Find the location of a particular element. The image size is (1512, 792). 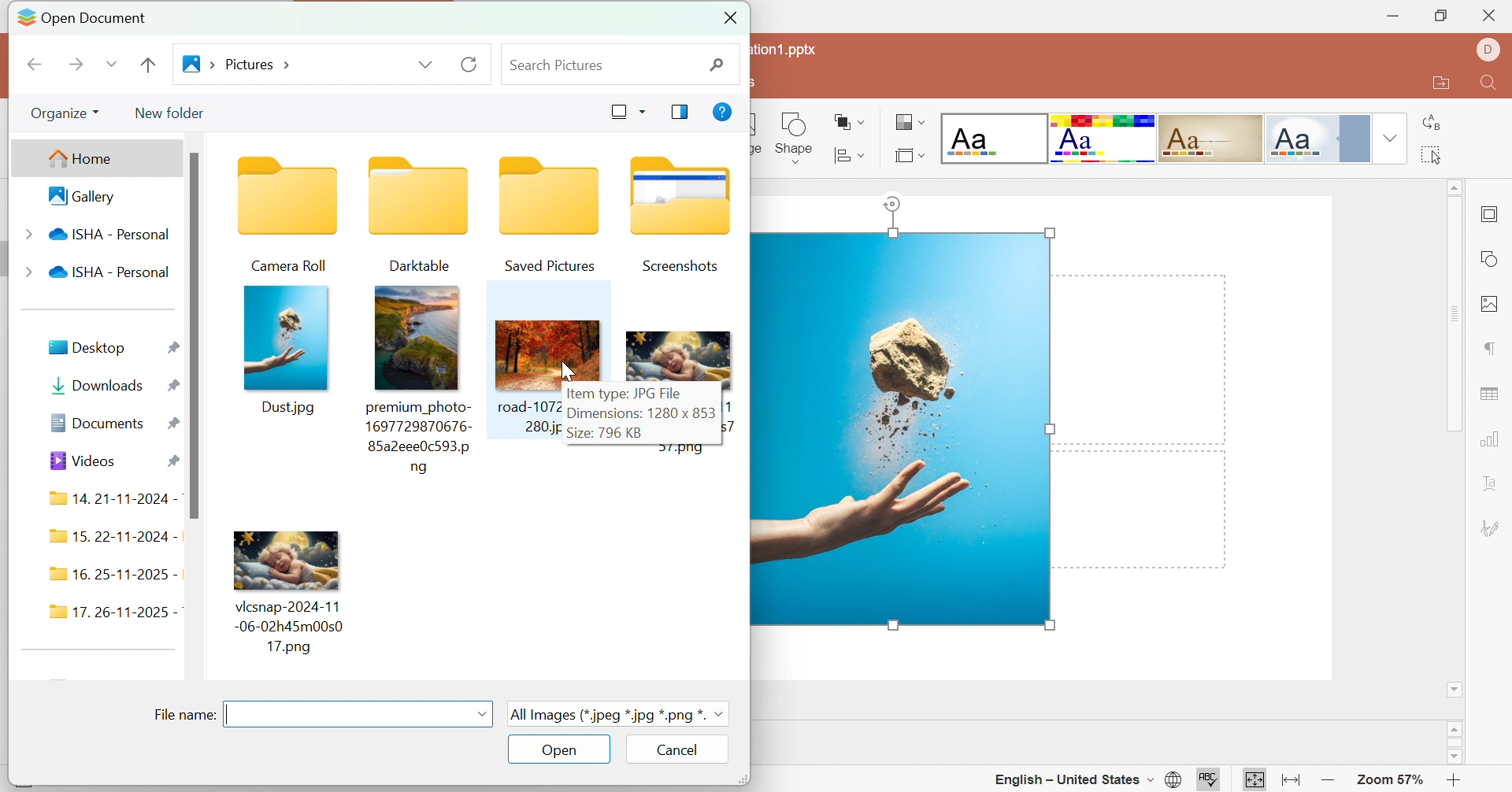

Screenshots is located at coordinates (683, 212).